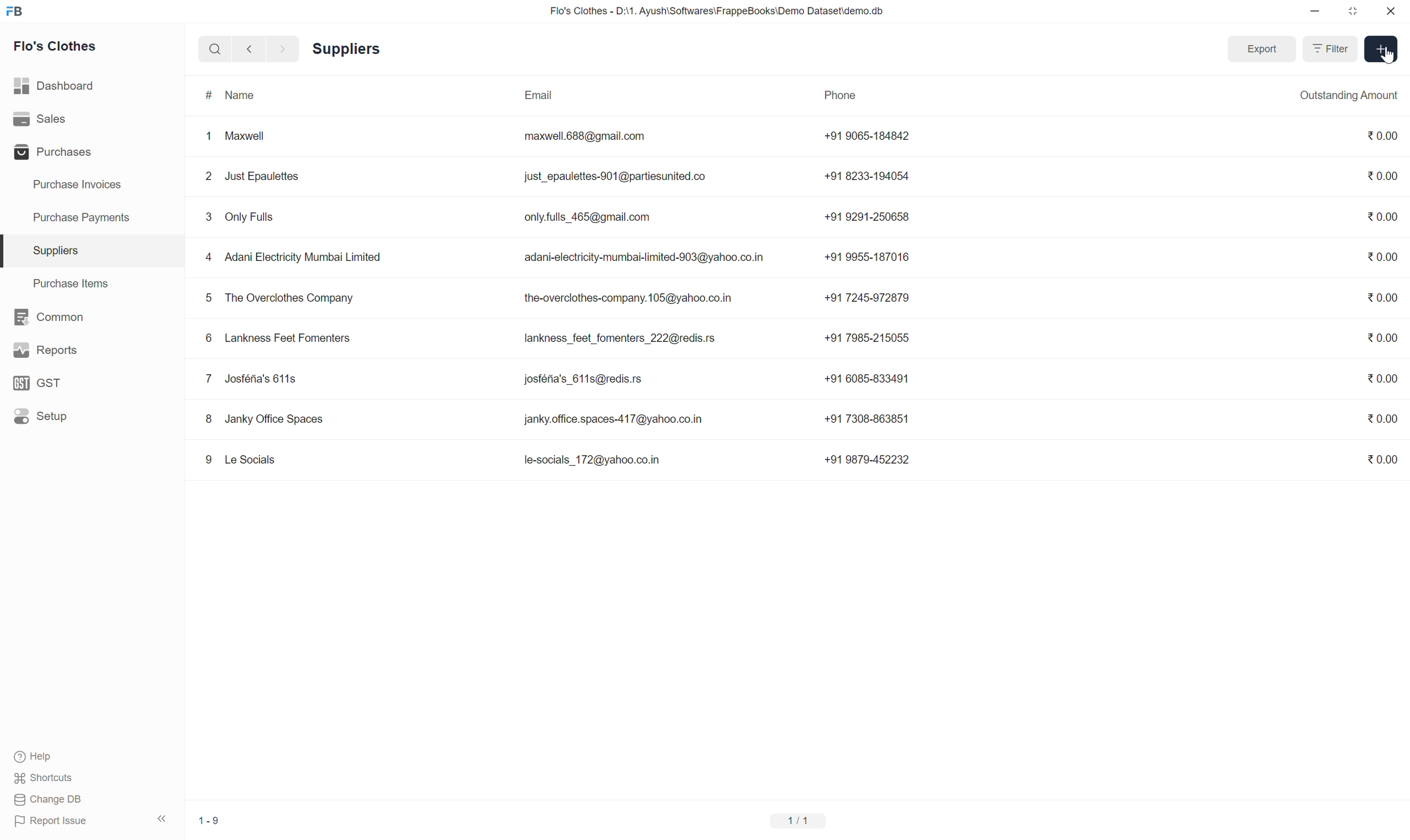  What do you see at coordinates (242, 217) in the screenshot?
I see `3 Only Fulls` at bounding box center [242, 217].